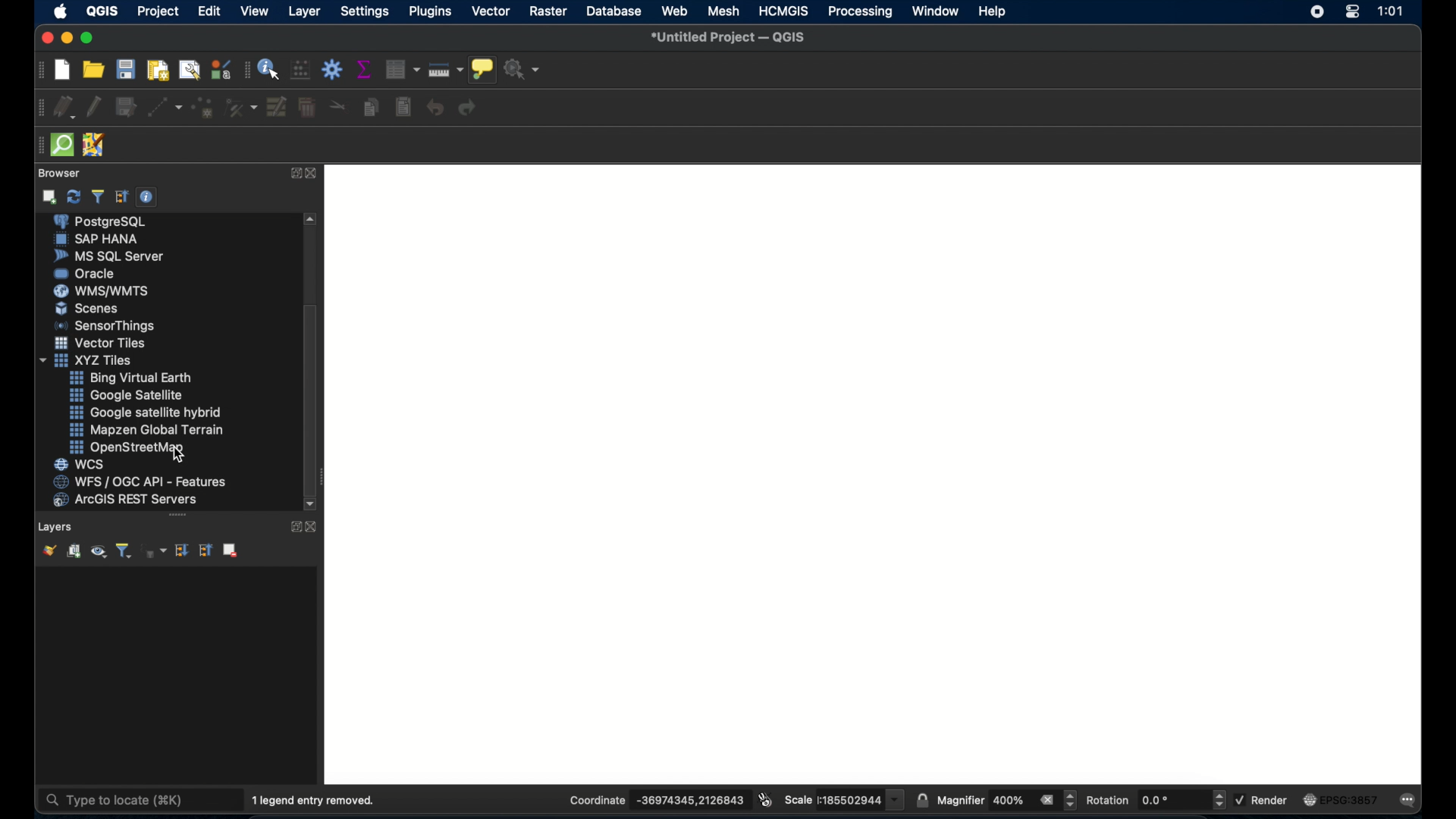 The image size is (1456, 819). What do you see at coordinates (50, 197) in the screenshot?
I see `add selected layer` at bounding box center [50, 197].